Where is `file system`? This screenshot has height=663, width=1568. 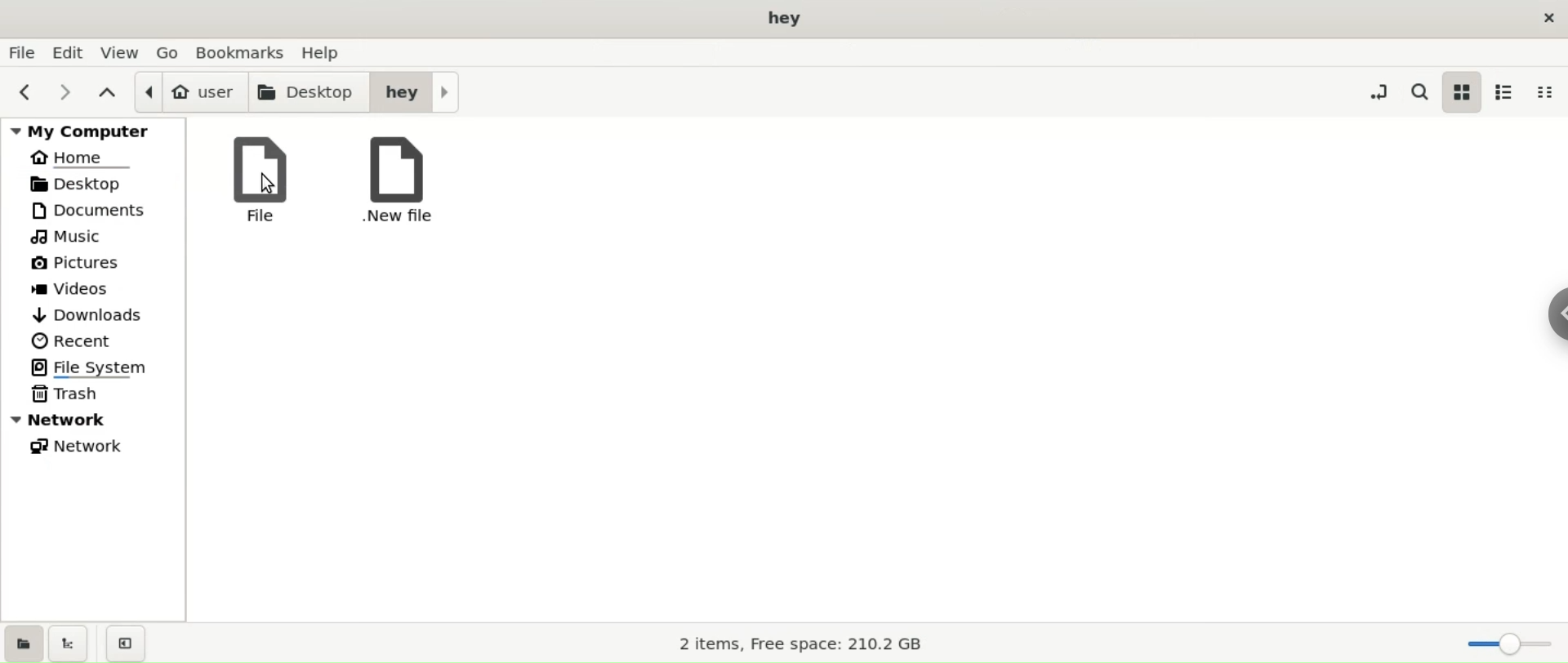
file system is located at coordinates (93, 366).